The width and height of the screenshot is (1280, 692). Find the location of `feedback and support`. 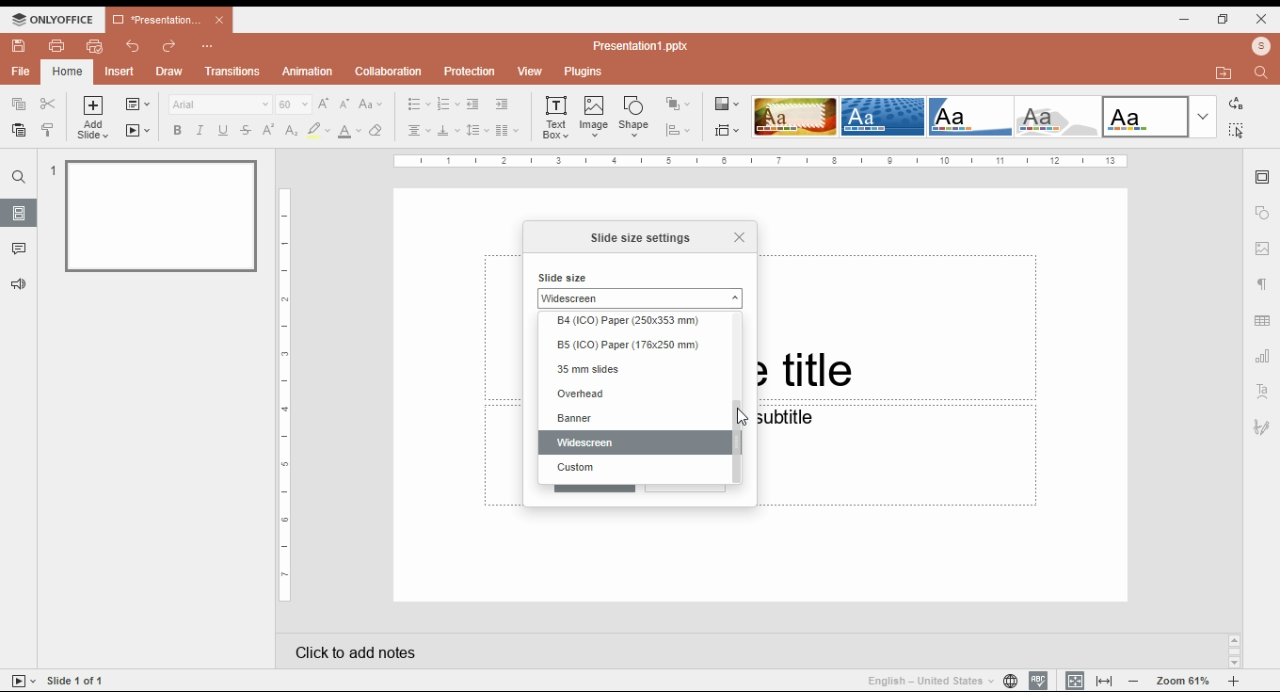

feedback and support is located at coordinates (20, 285).